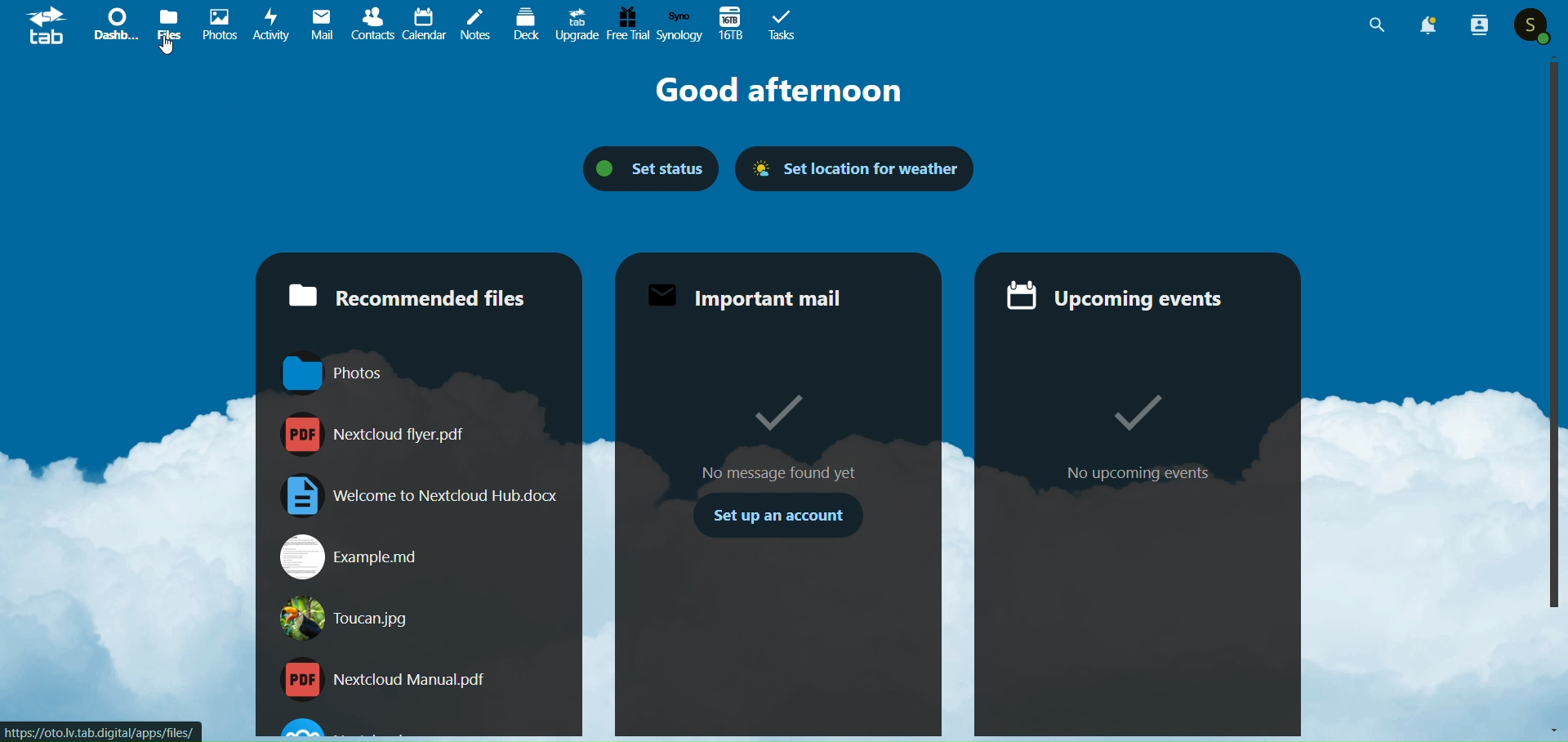 The width and height of the screenshot is (1568, 742). I want to click on task, so click(782, 25).